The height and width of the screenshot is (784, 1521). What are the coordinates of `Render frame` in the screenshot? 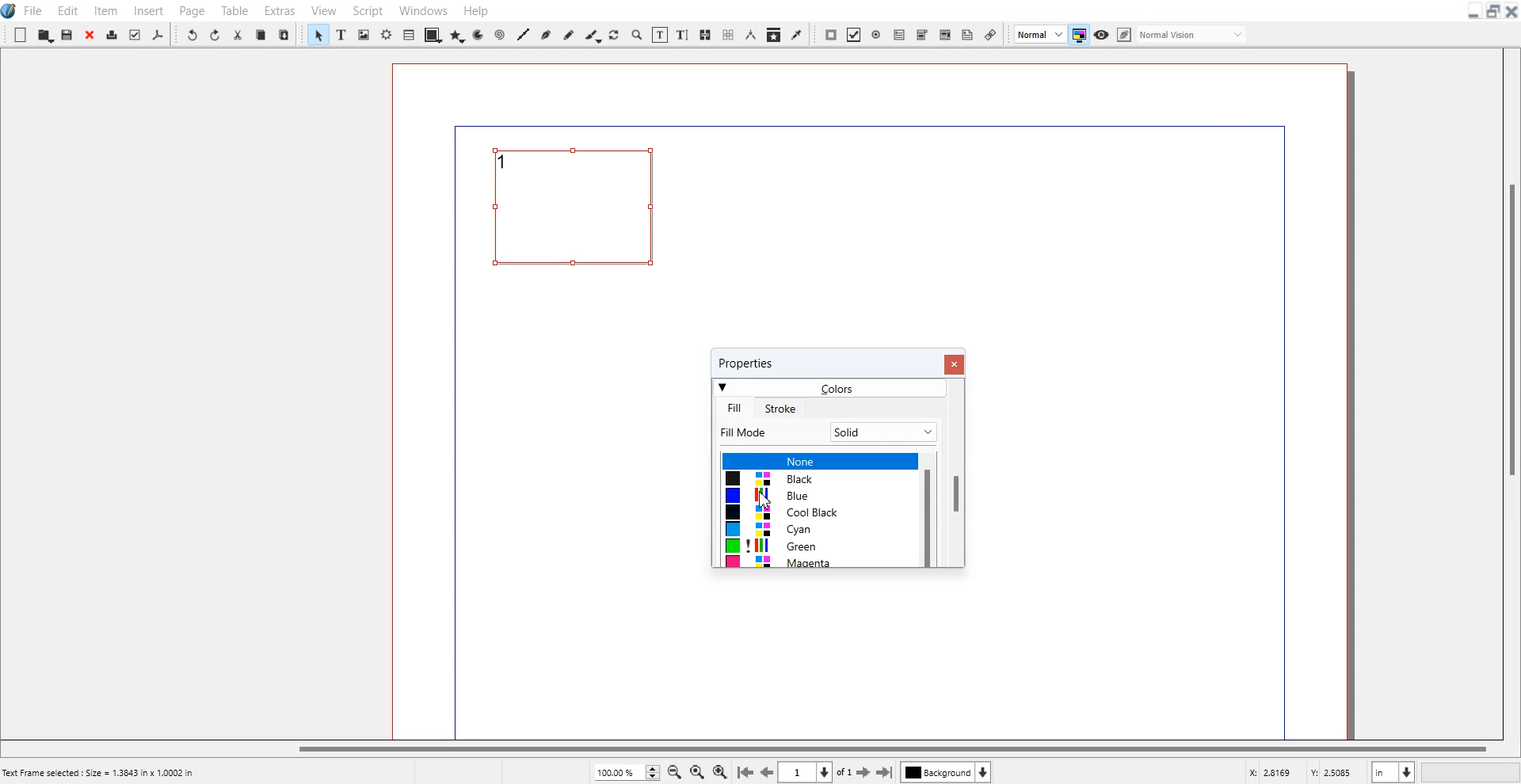 It's located at (386, 34).